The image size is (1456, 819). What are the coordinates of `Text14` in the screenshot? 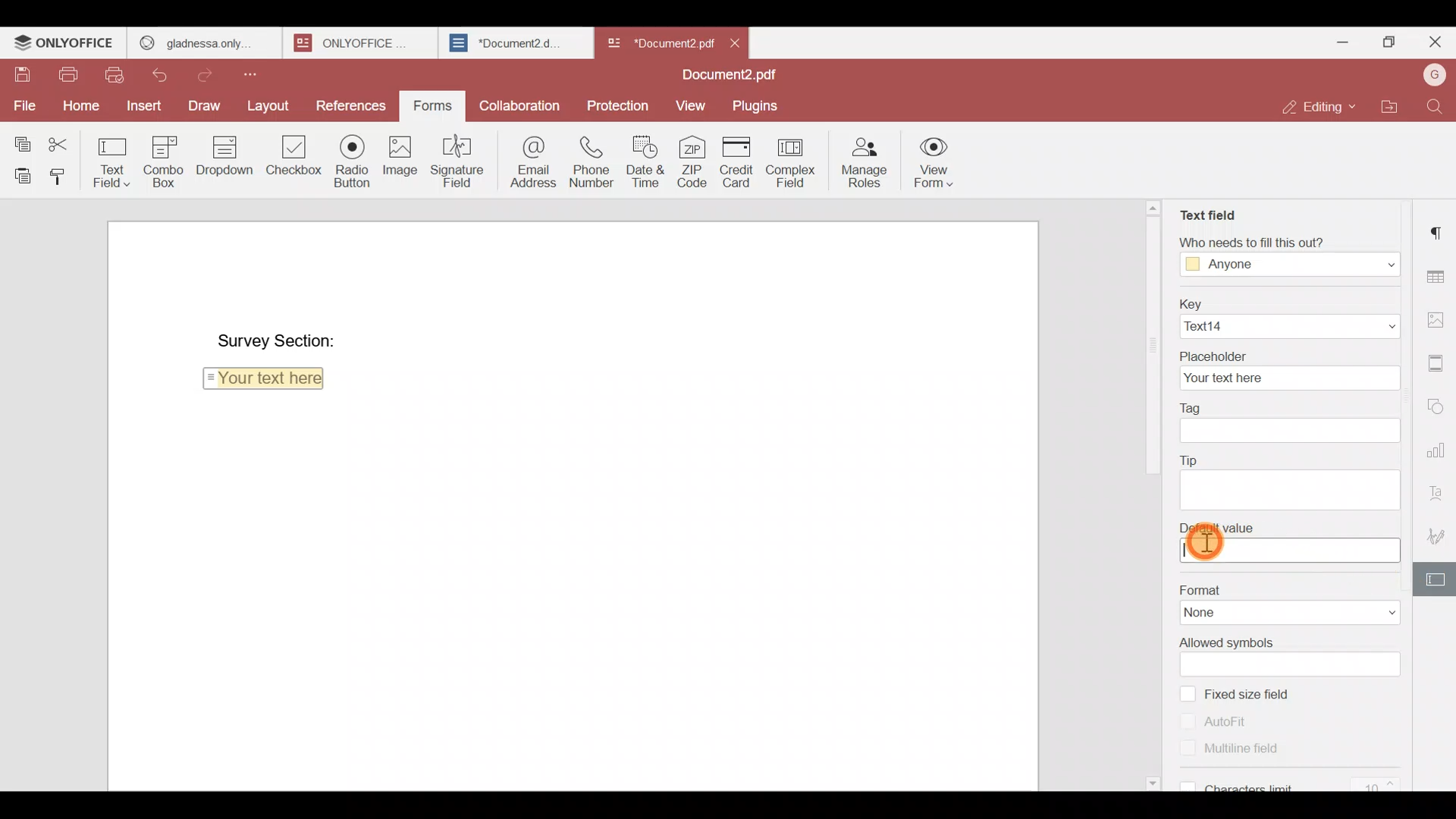 It's located at (1287, 326).